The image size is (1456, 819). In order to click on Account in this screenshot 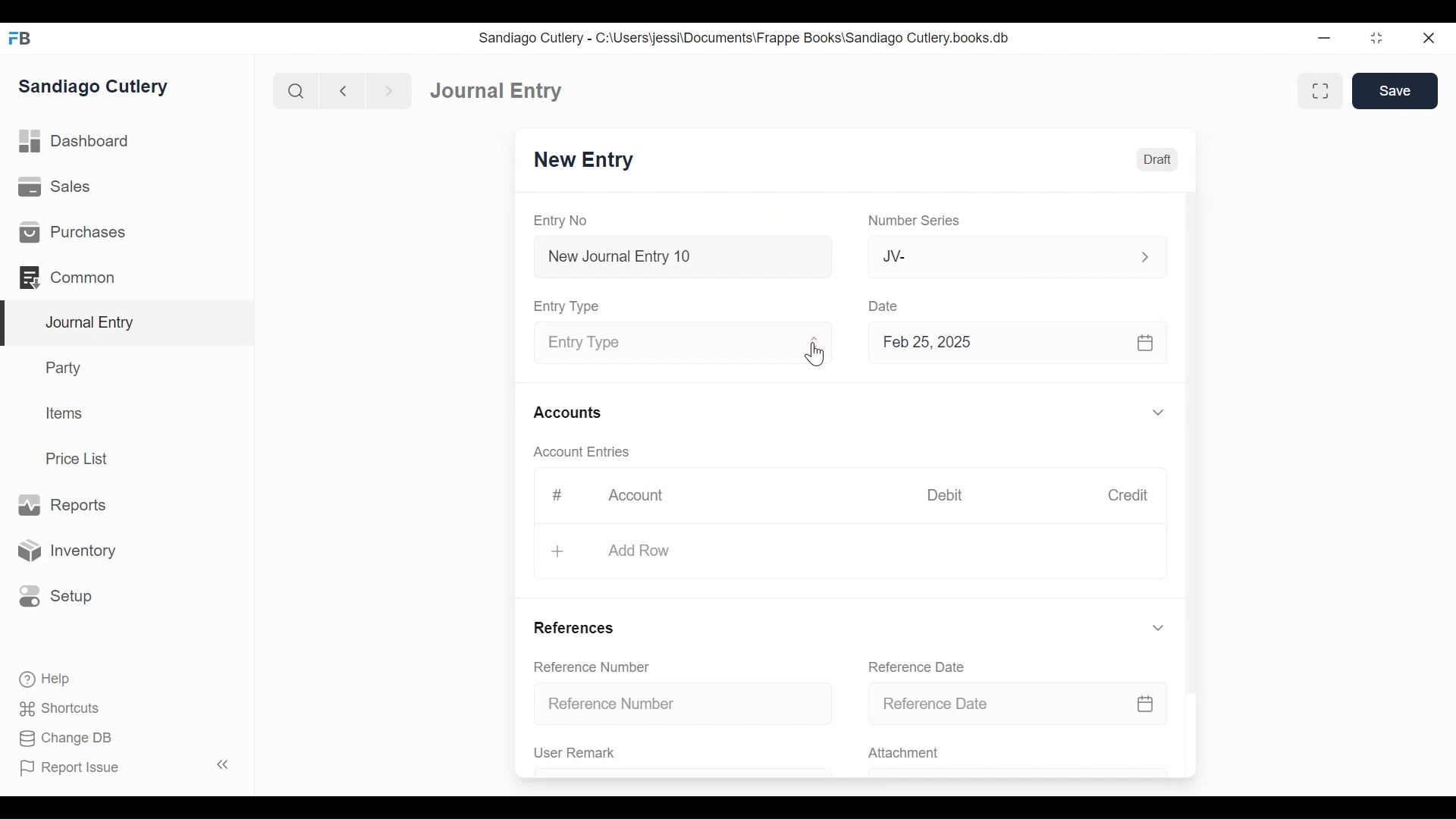, I will do `click(638, 497)`.